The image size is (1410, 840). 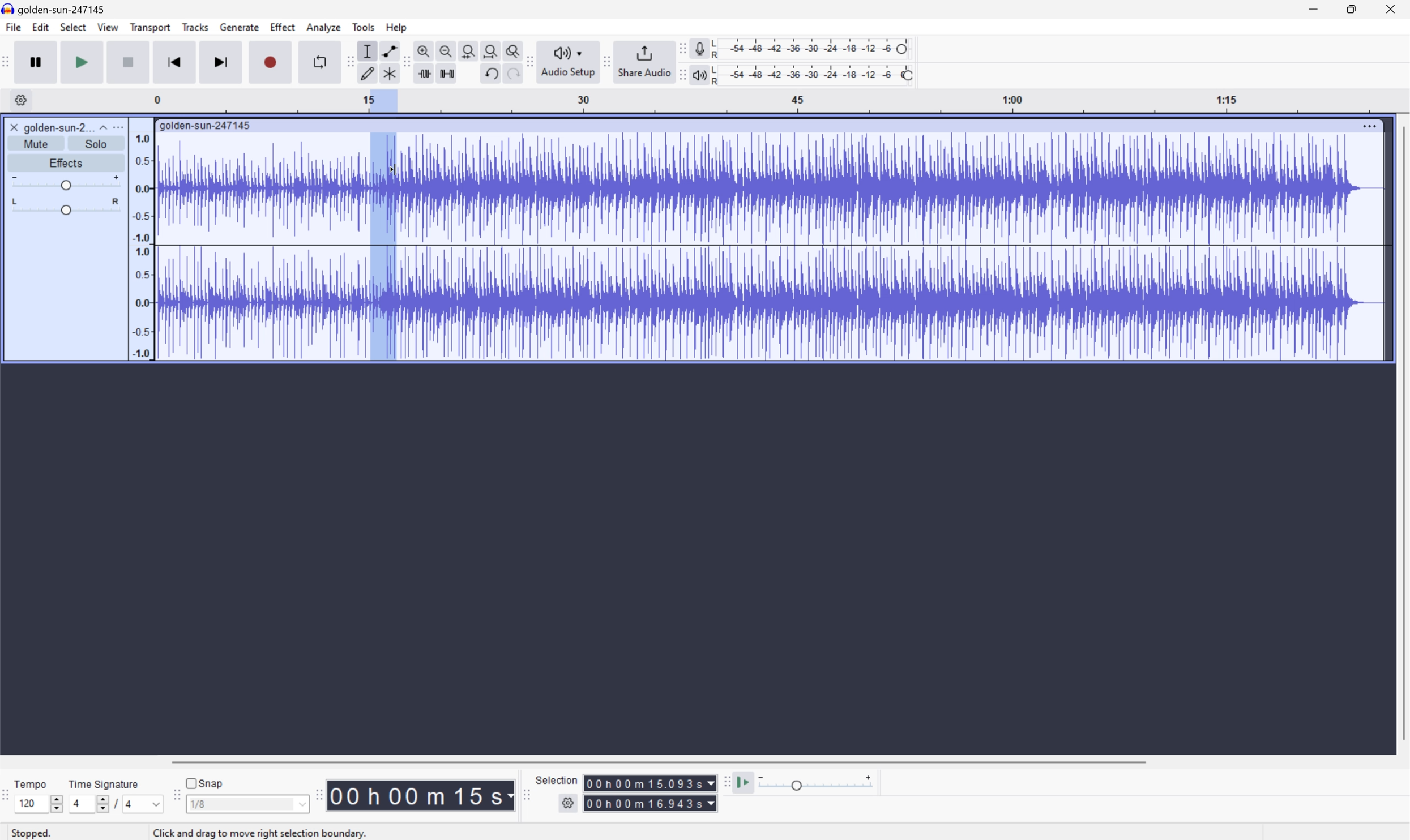 I want to click on Audacity audio setup toolbar, so click(x=529, y=61).